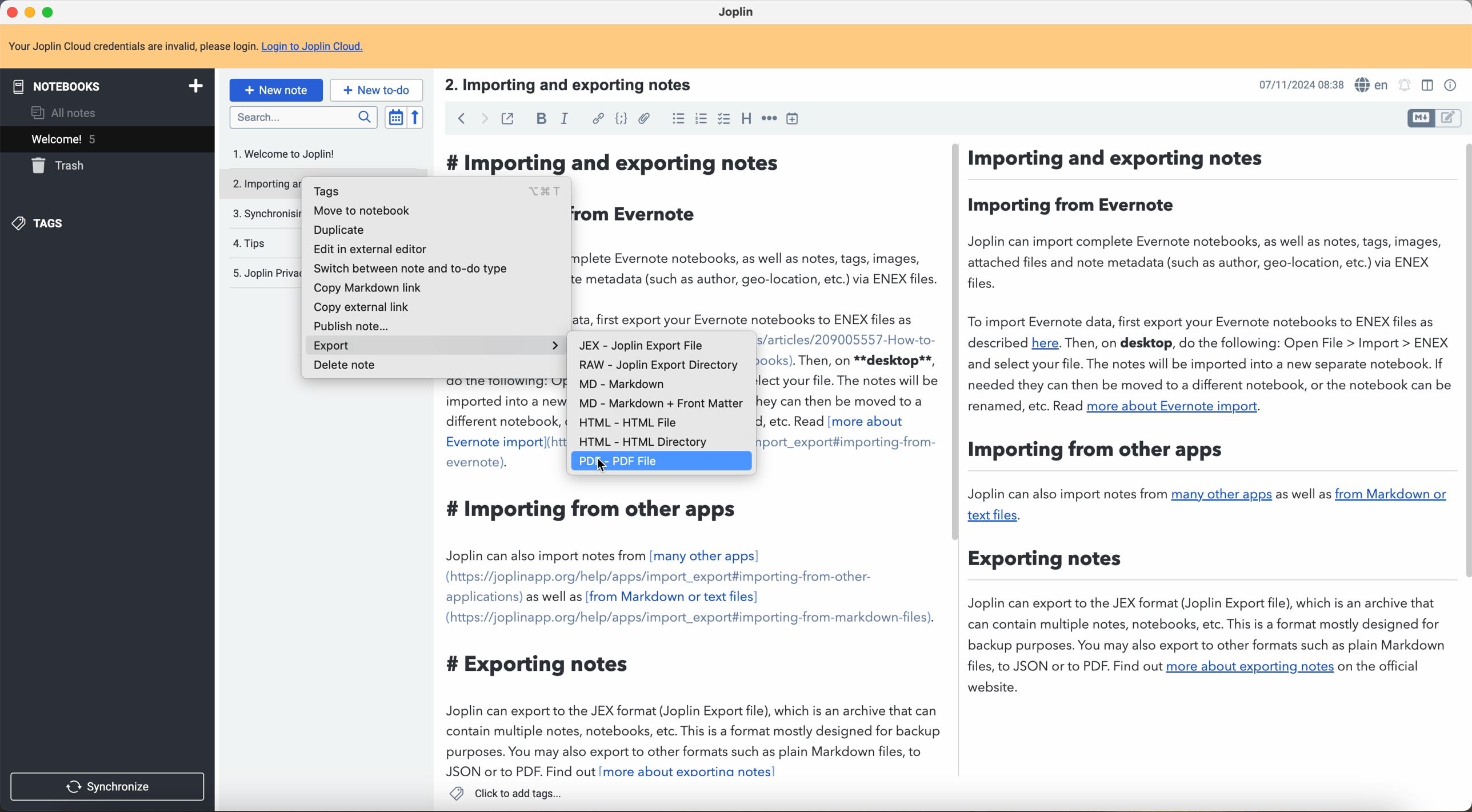  What do you see at coordinates (849, 554) in the screenshot?
I see `importing and exporting notes: Joplin can important complete Evernote notebooks, as well as notes, tags, images, attached files and note metadata (such as as author, geo-location, etc) vía ENEX files. To import Evernote data, first export your Evernote notebooks to ENEX files aside described (here)…` at bounding box center [849, 554].